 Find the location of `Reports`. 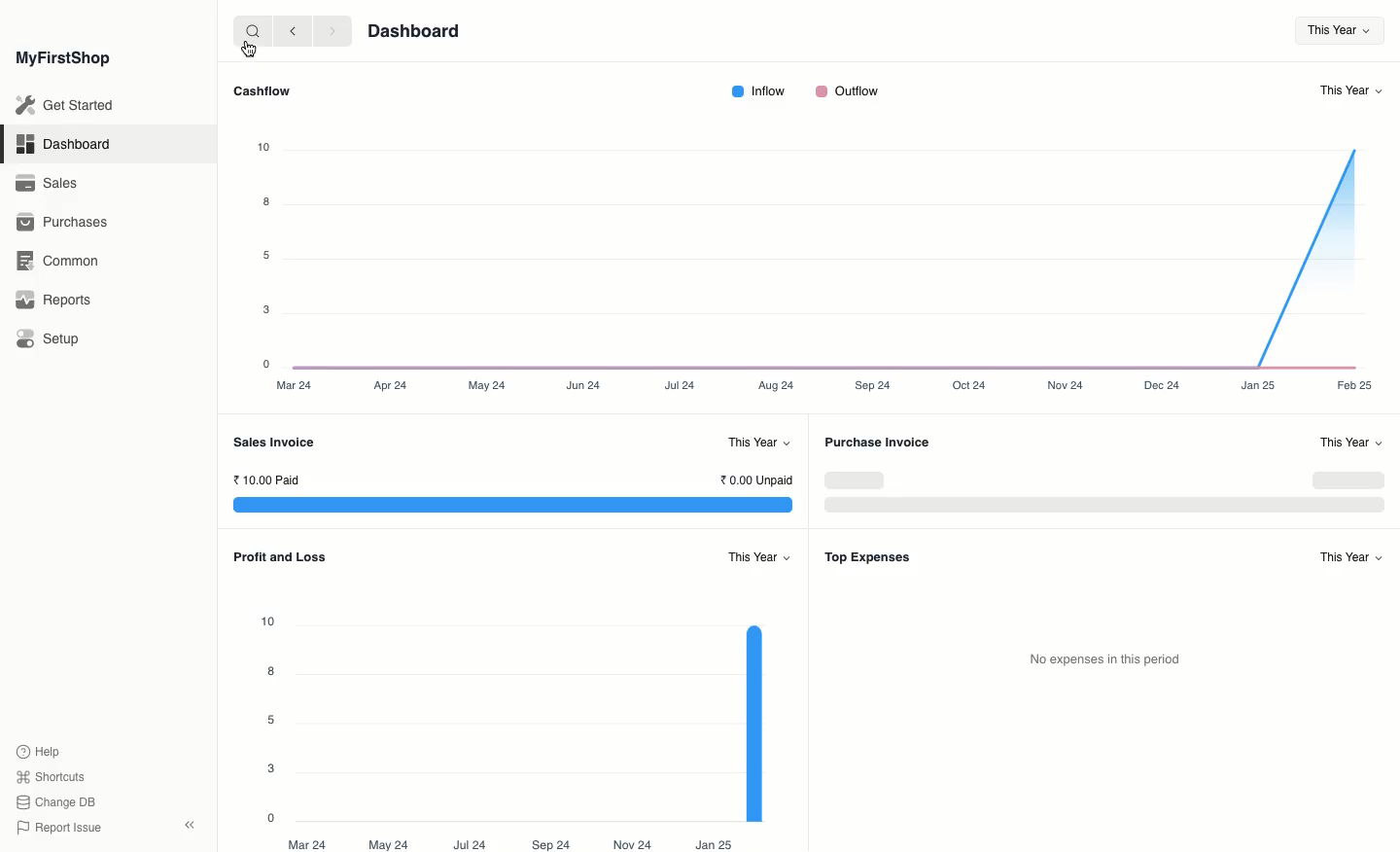

Reports is located at coordinates (54, 299).